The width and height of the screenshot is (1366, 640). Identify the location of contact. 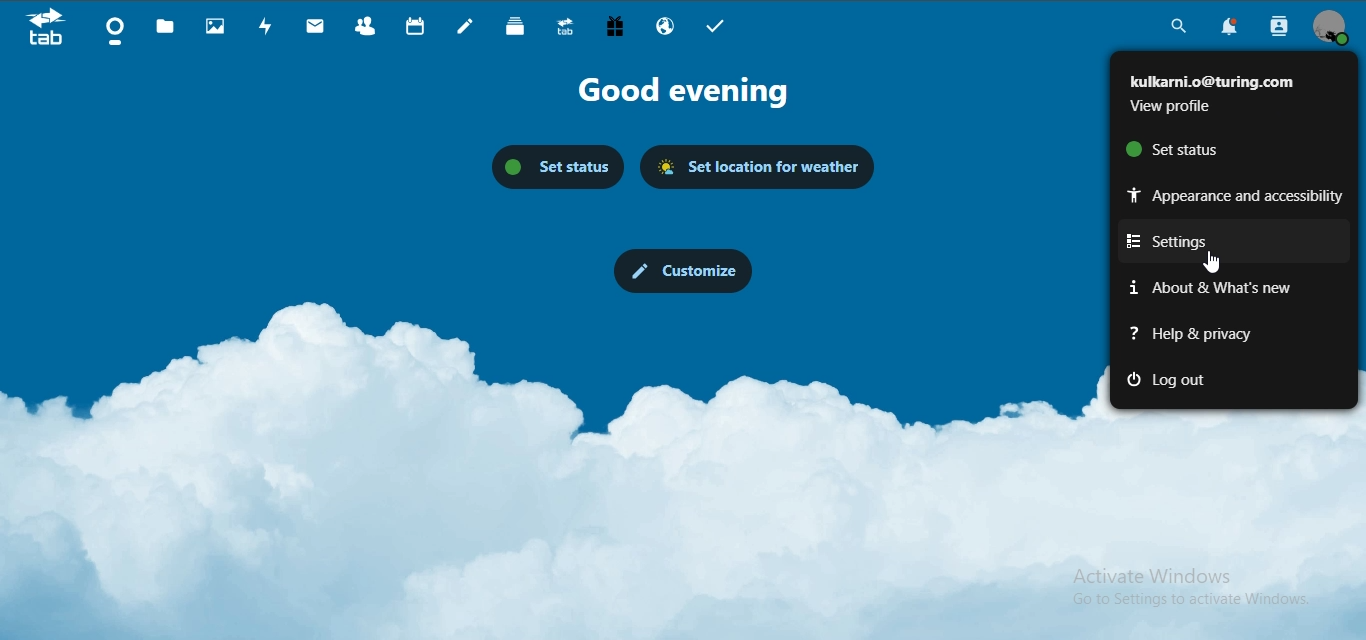
(365, 27).